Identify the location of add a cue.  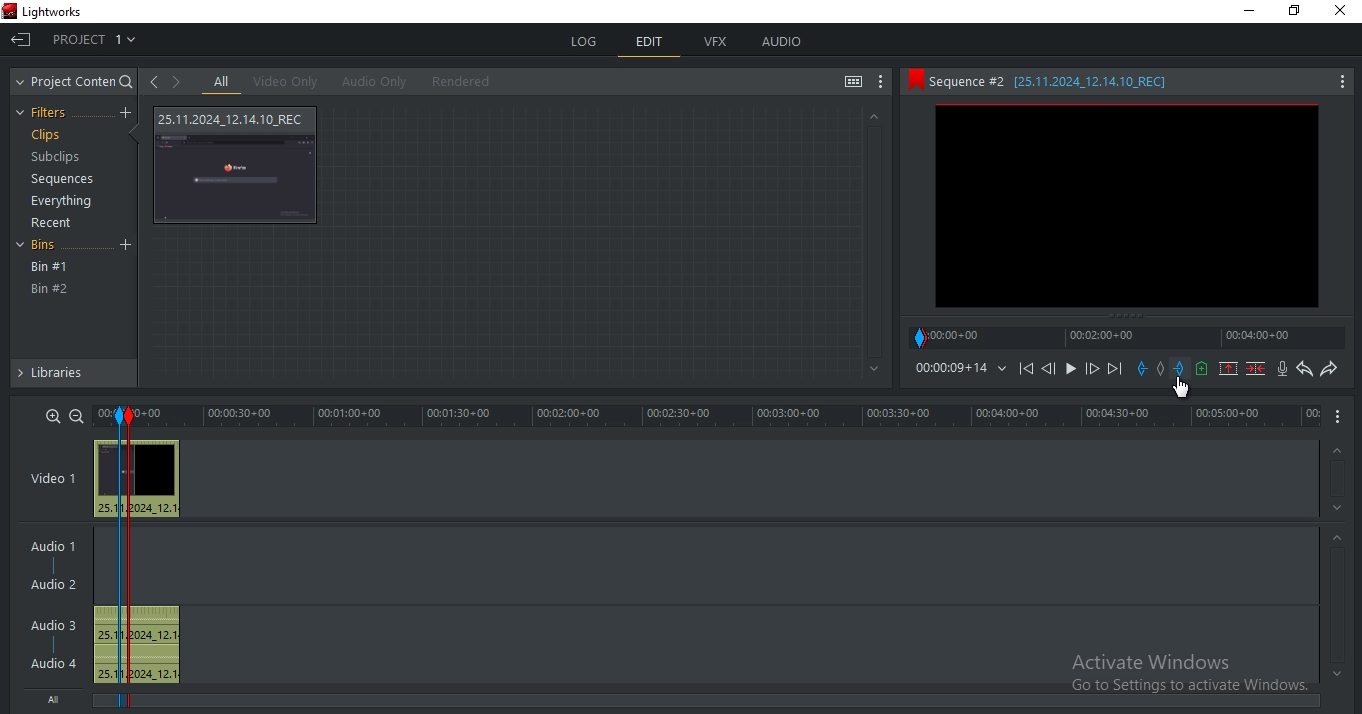
(1203, 369).